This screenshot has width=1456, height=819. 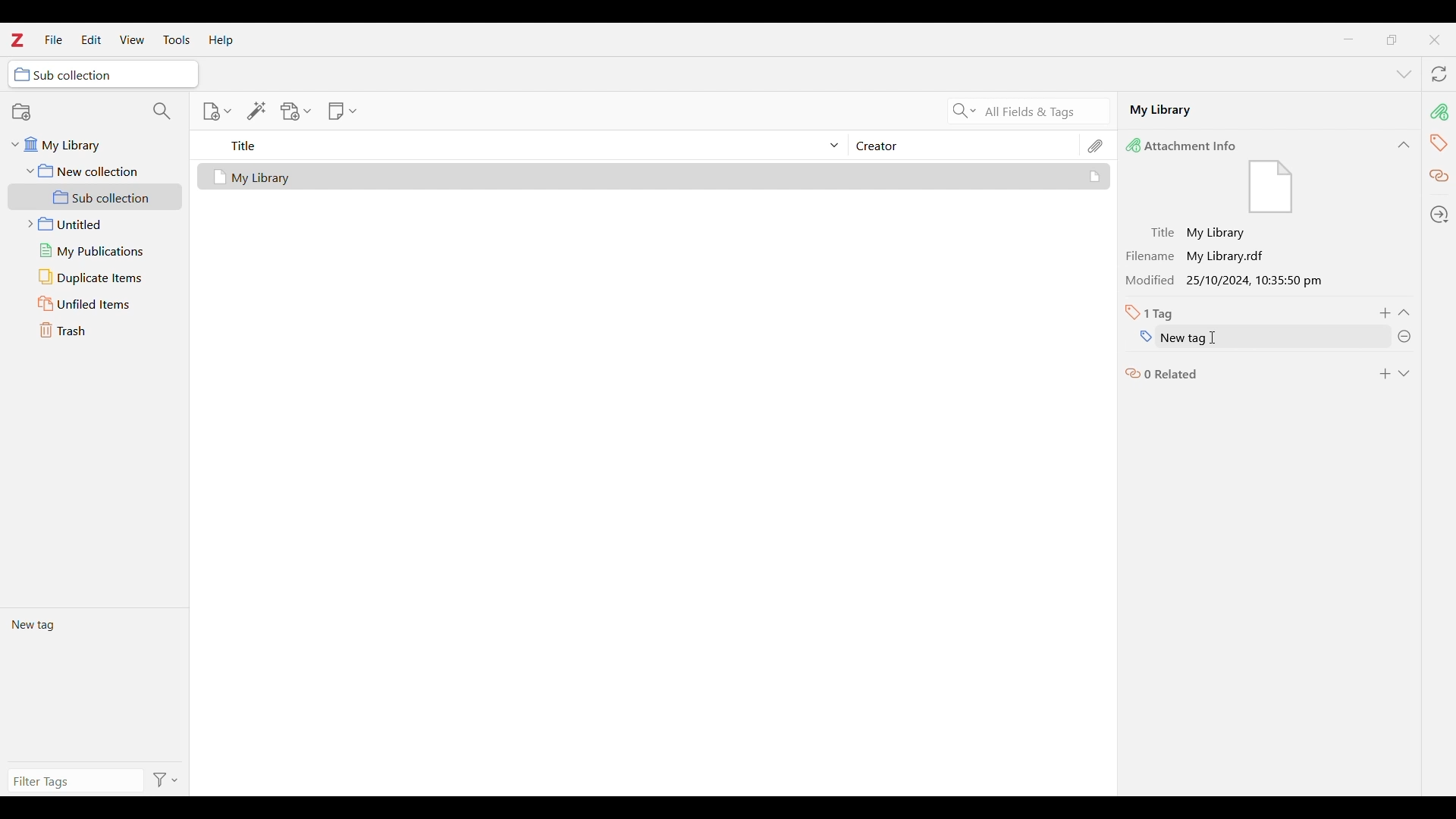 What do you see at coordinates (221, 40) in the screenshot?
I see `Help menu` at bounding box center [221, 40].